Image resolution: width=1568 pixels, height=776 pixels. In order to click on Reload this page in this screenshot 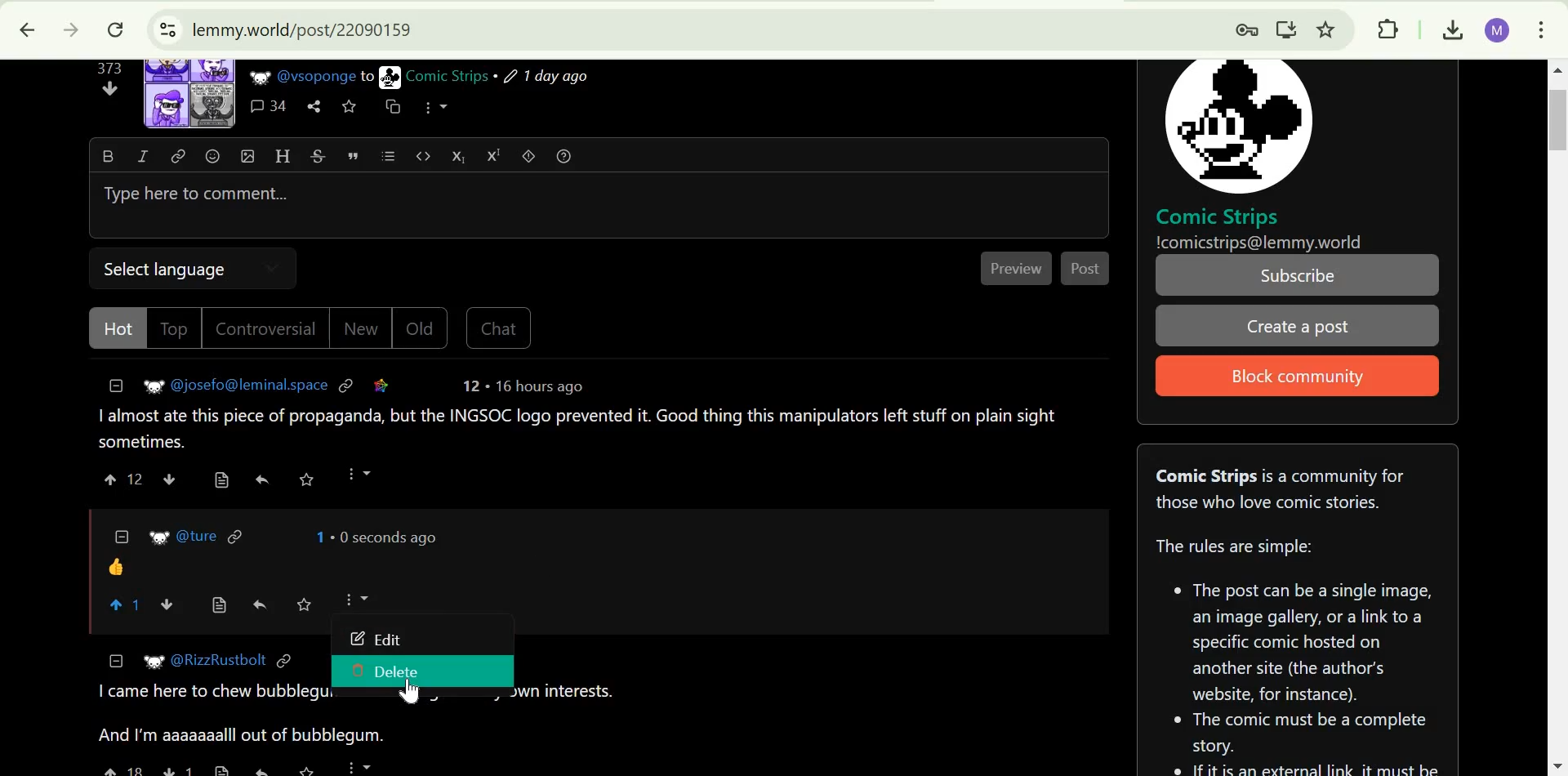, I will do `click(115, 30)`.